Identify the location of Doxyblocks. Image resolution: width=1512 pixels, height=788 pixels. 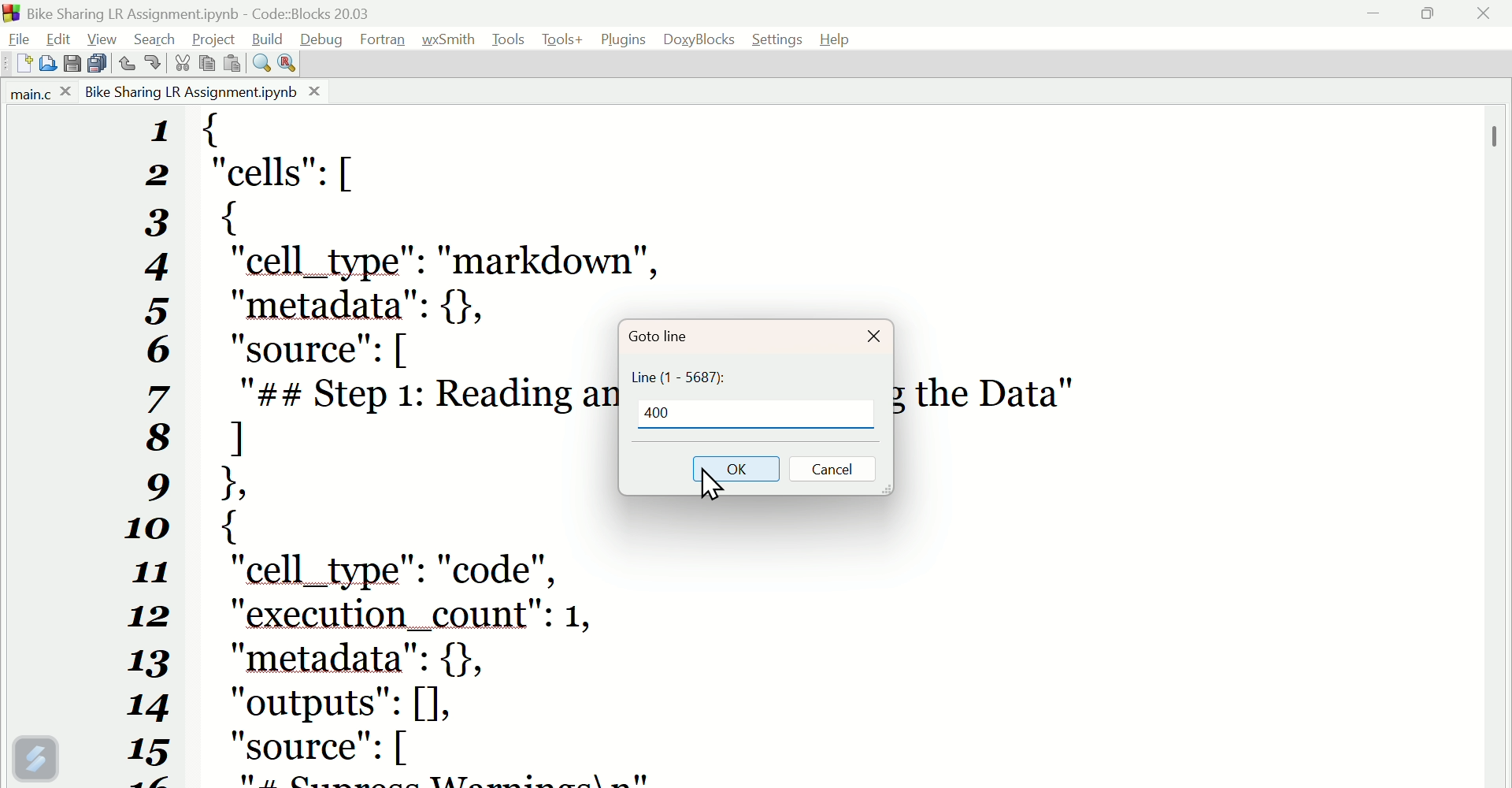
(700, 36).